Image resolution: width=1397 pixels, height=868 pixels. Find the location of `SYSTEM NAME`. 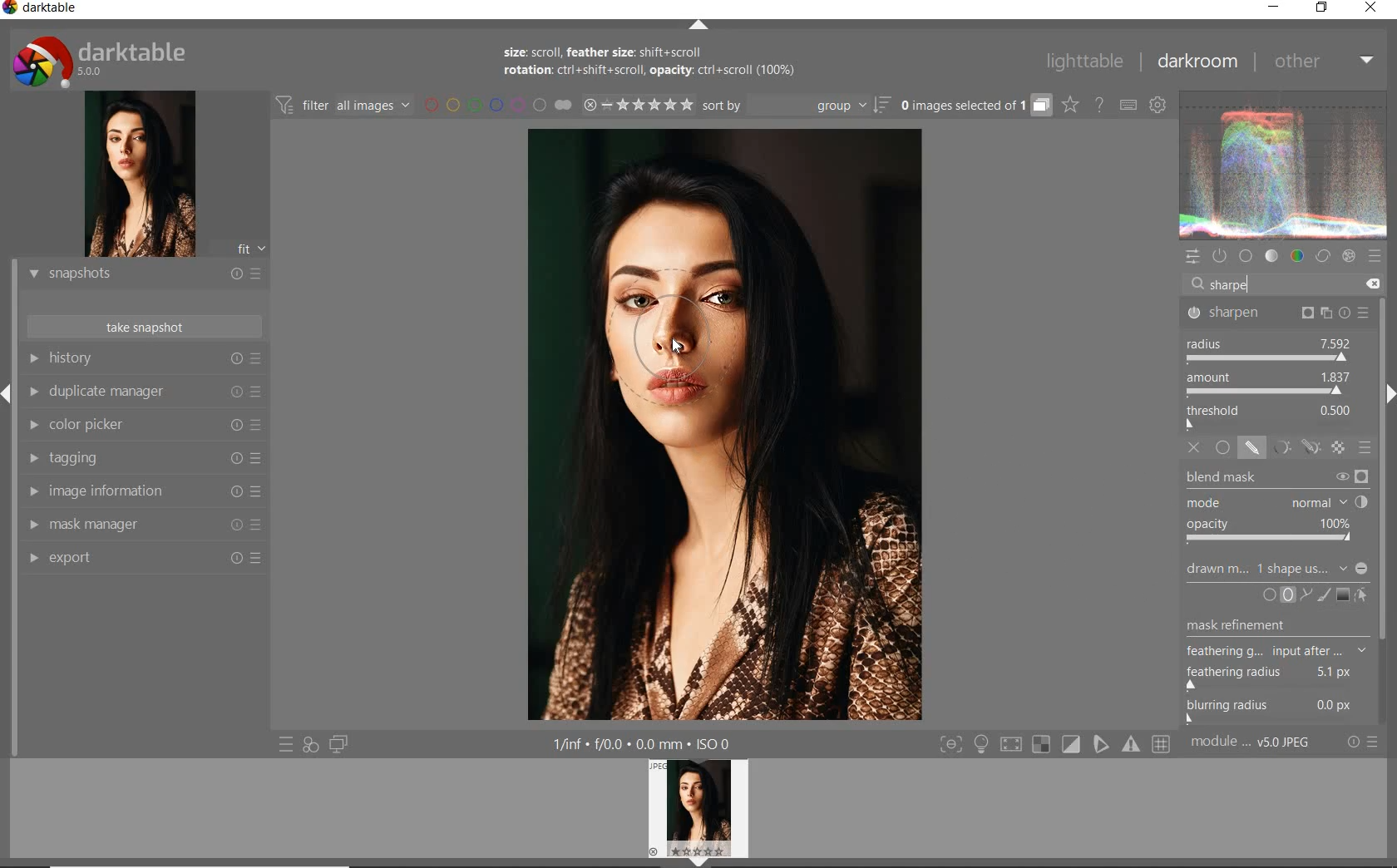

SYSTEM NAME is located at coordinates (46, 10).